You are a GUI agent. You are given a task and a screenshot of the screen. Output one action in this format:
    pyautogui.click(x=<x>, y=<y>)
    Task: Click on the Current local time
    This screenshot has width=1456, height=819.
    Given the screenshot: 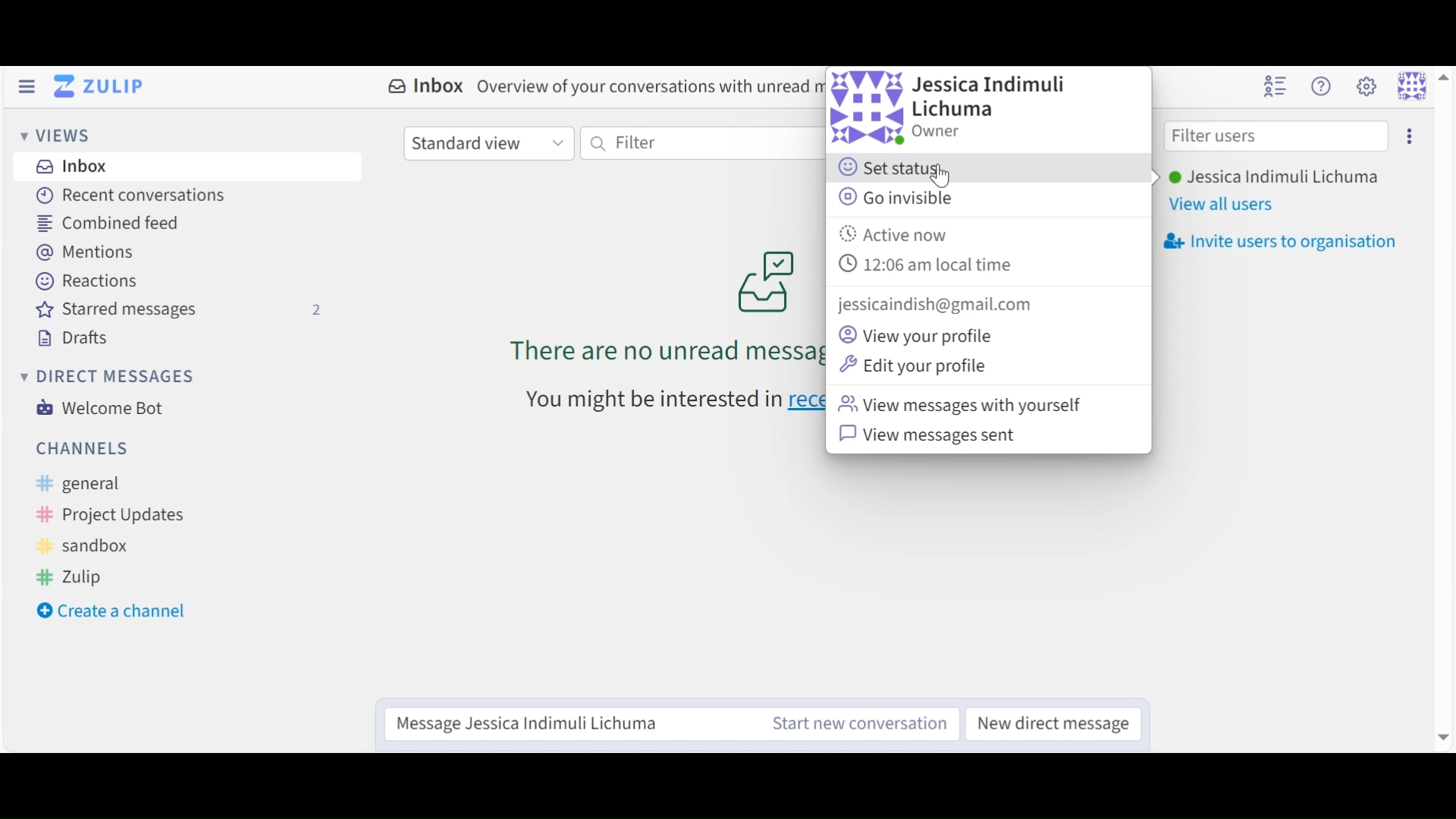 What is the action you would take?
    pyautogui.click(x=929, y=264)
    